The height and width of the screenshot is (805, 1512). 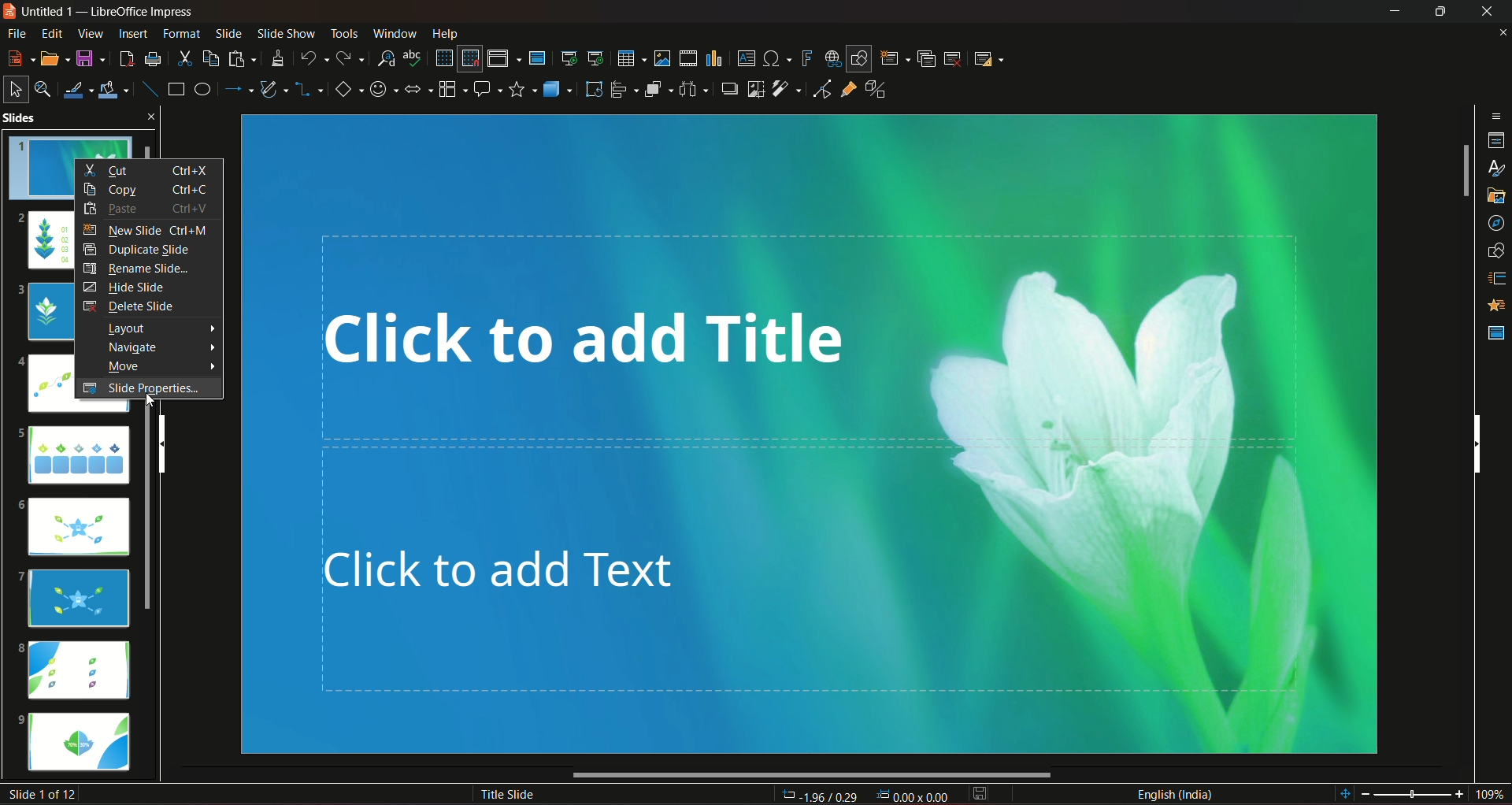 I want to click on flowchart, so click(x=452, y=87).